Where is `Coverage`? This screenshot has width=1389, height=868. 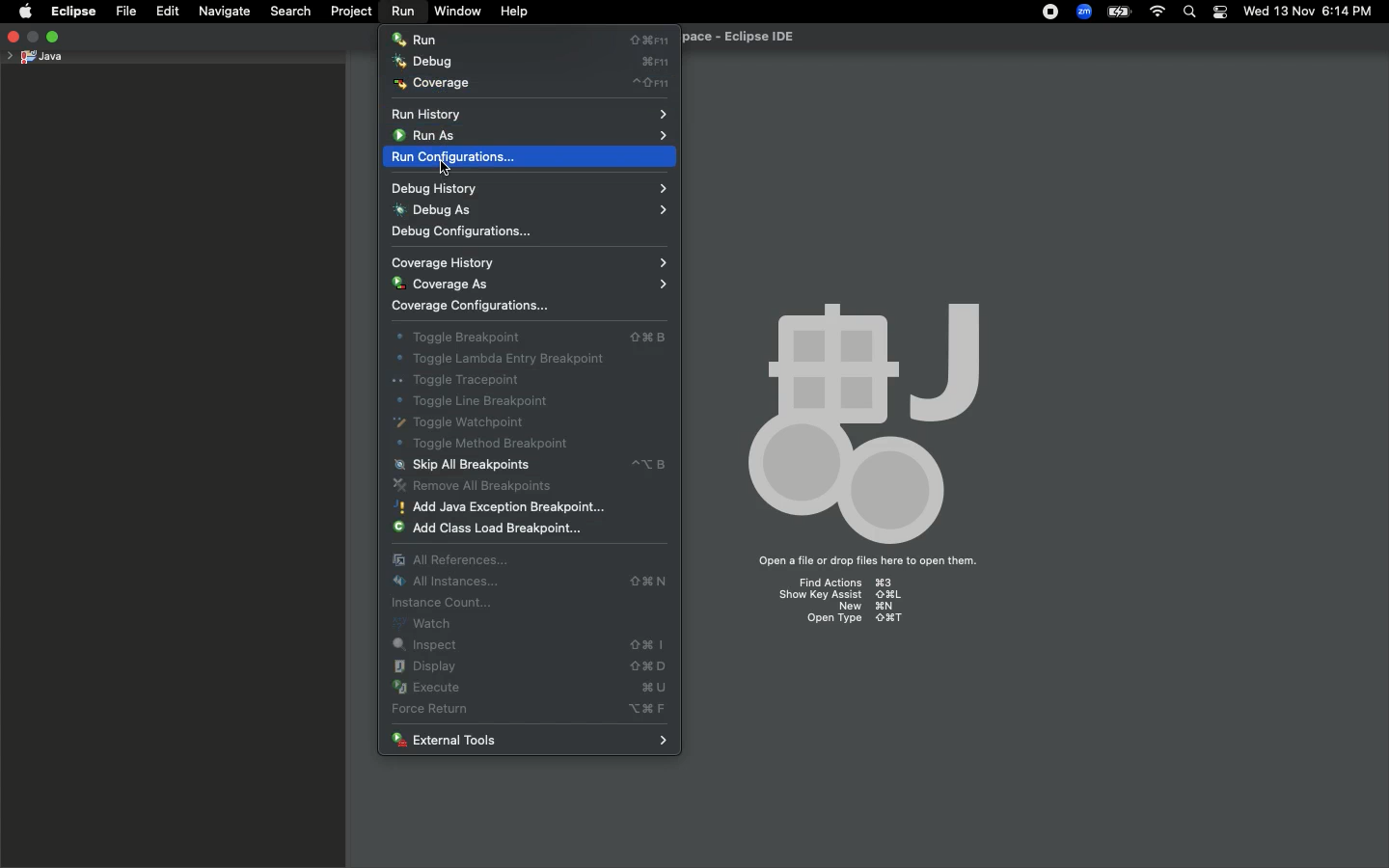
Coverage is located at coordinates (532, 85).